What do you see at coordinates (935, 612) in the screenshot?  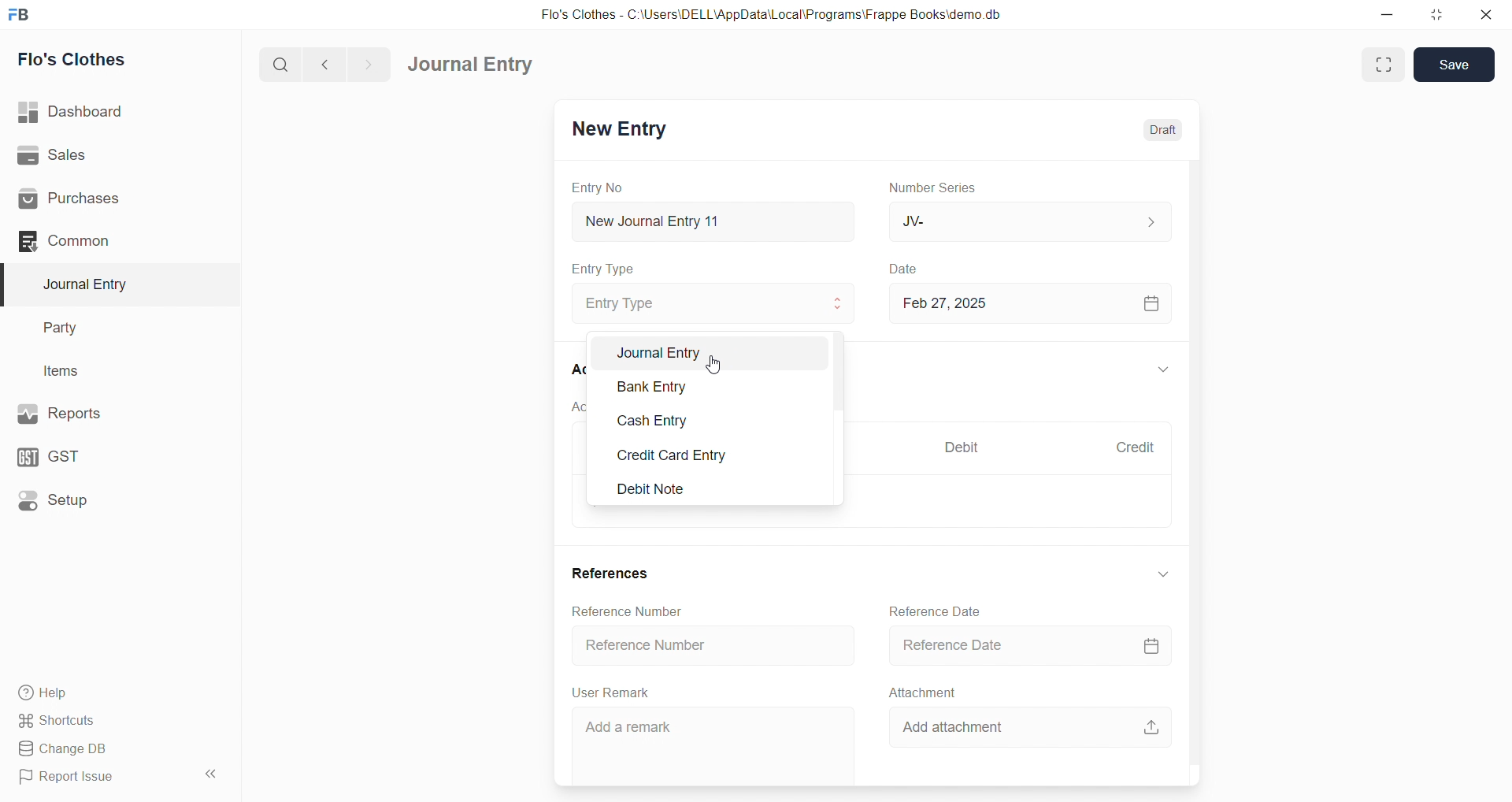 I see `Reference Date` at bounding box center [935, 612].